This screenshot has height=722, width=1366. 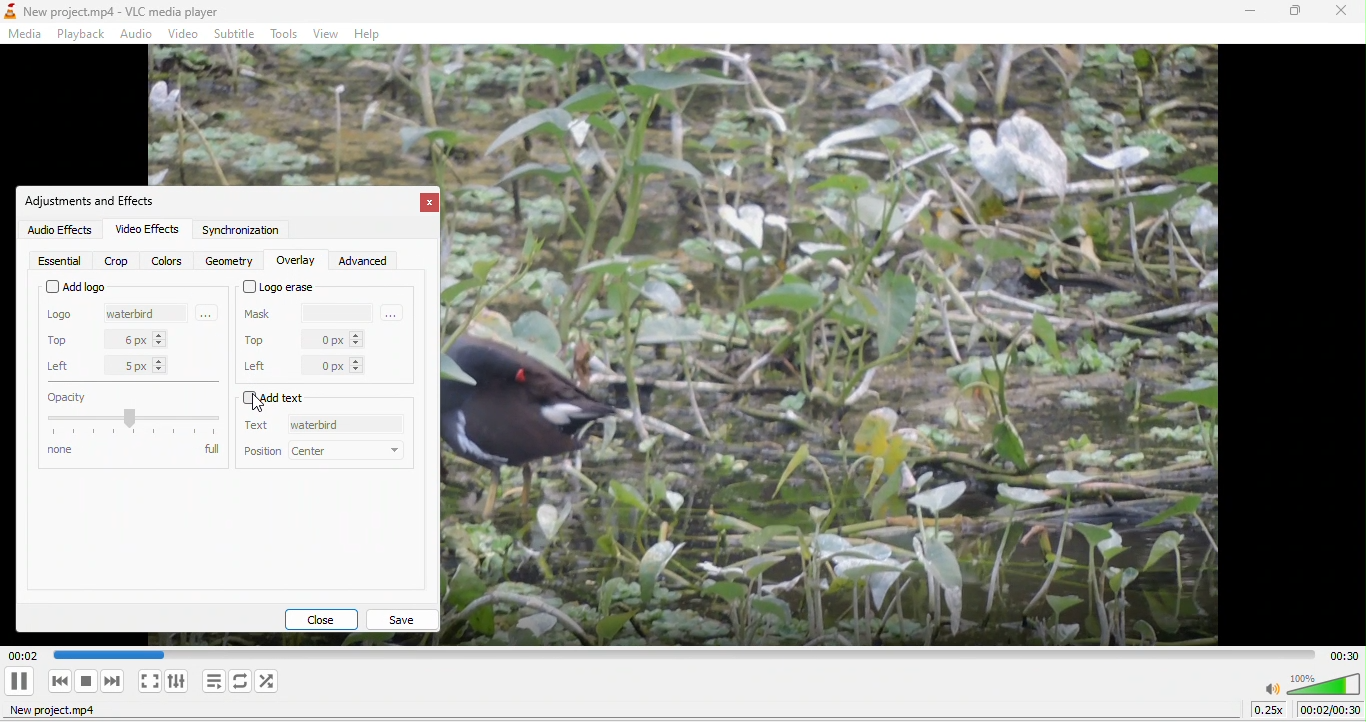 I want to click on Play duration, so click(x=672, y=654).